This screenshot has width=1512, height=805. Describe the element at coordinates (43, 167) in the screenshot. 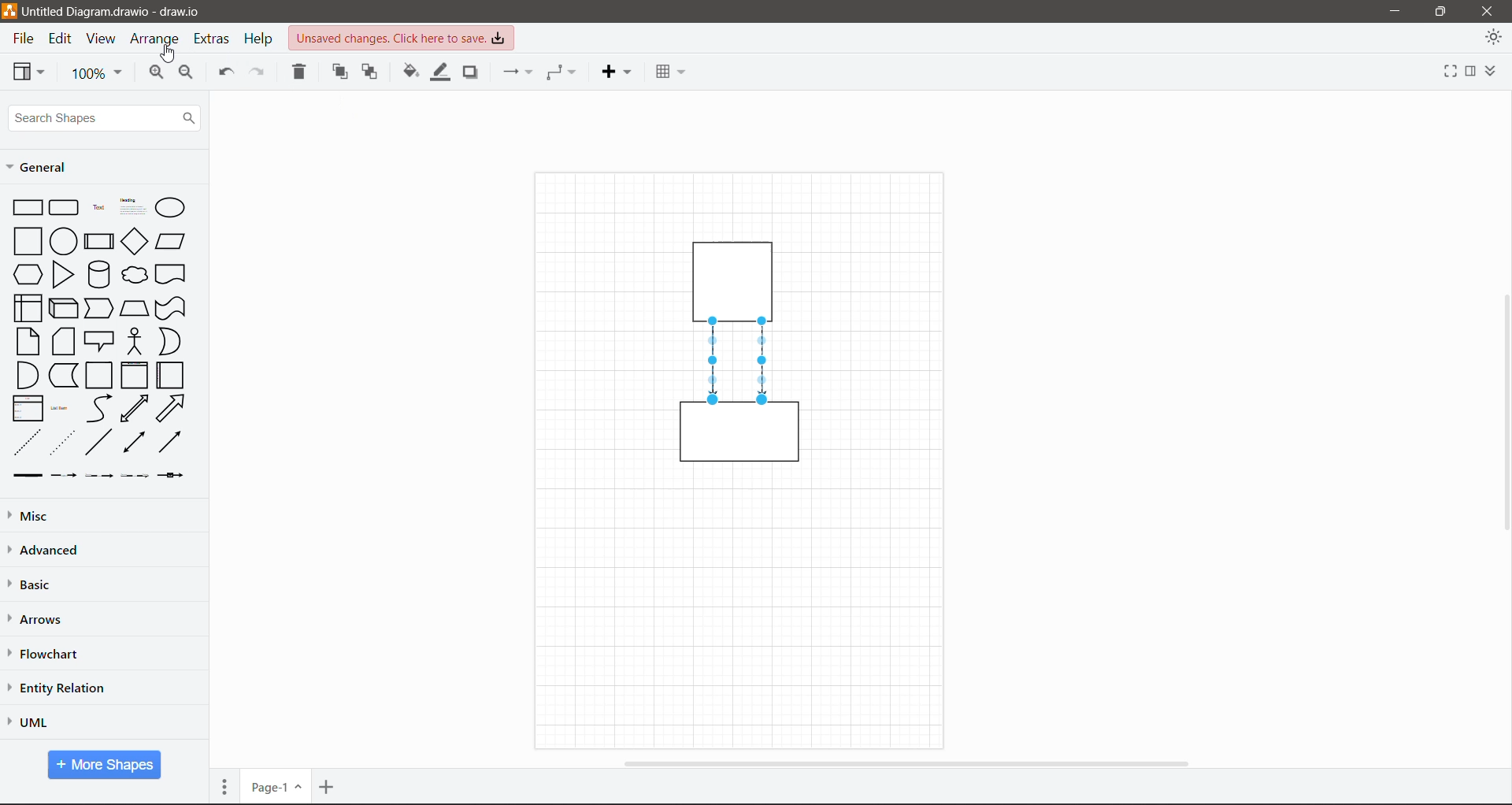

I see `General` at that location.